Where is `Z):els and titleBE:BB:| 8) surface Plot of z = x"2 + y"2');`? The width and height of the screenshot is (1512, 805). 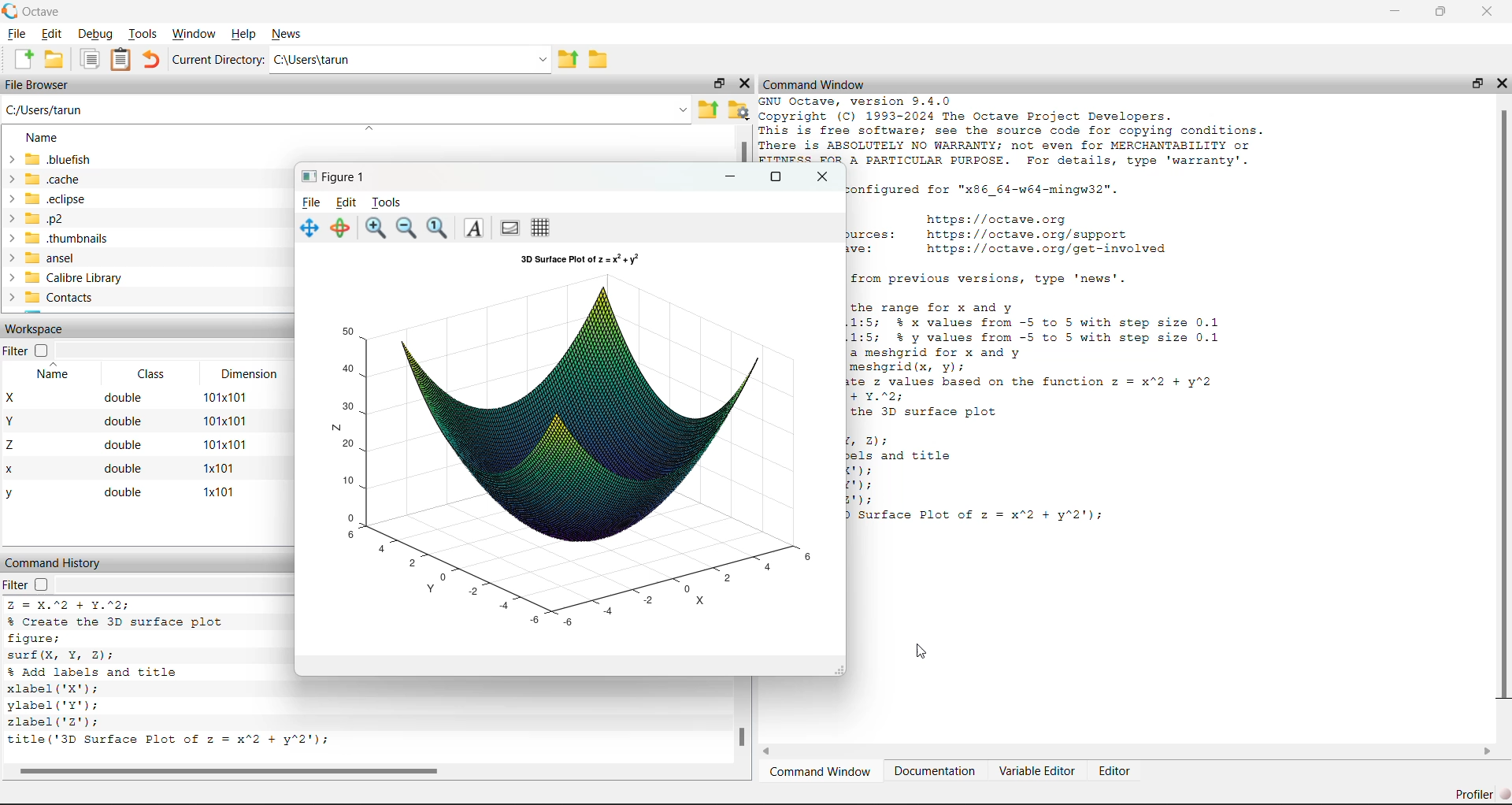
Z):els and titleBE:BB:| 8) surface Plot of z = x"2 + y"2'); is located at coordinates (987, 482).